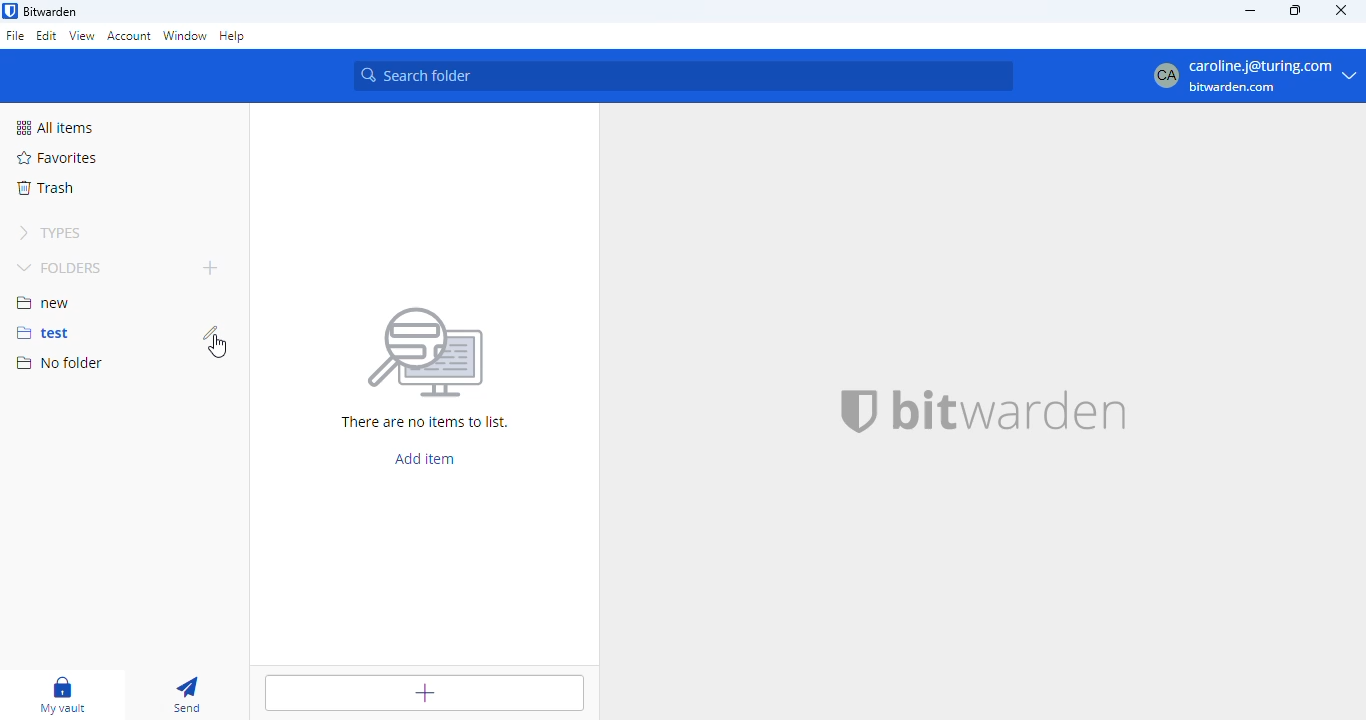 The height and width of the screenshot is (720, 1366). Describe the element at coordinates (233, 37) in the screenshot. I see `help` at that location.